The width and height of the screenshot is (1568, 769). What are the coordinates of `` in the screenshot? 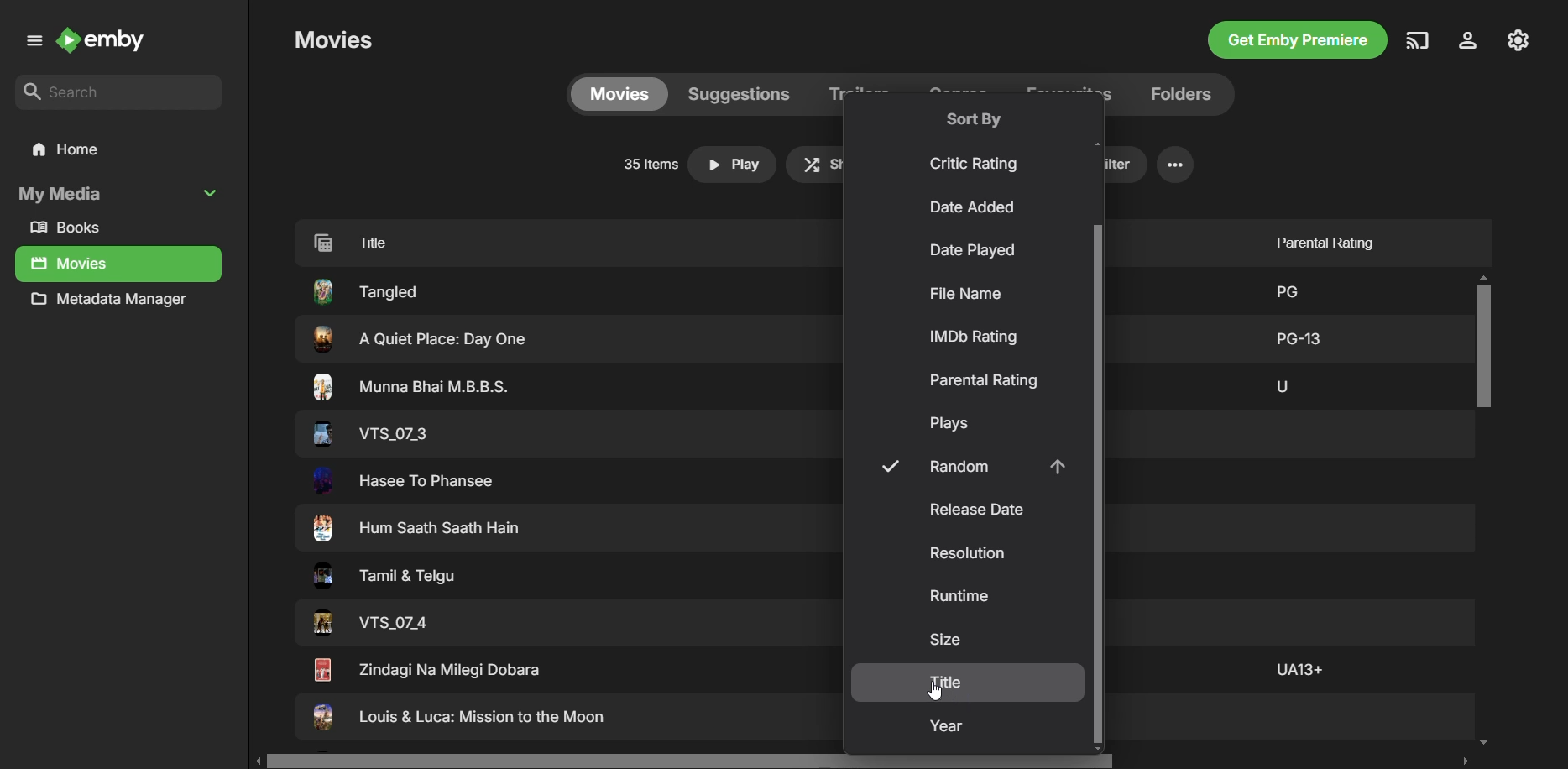 It's located at (412, 387).